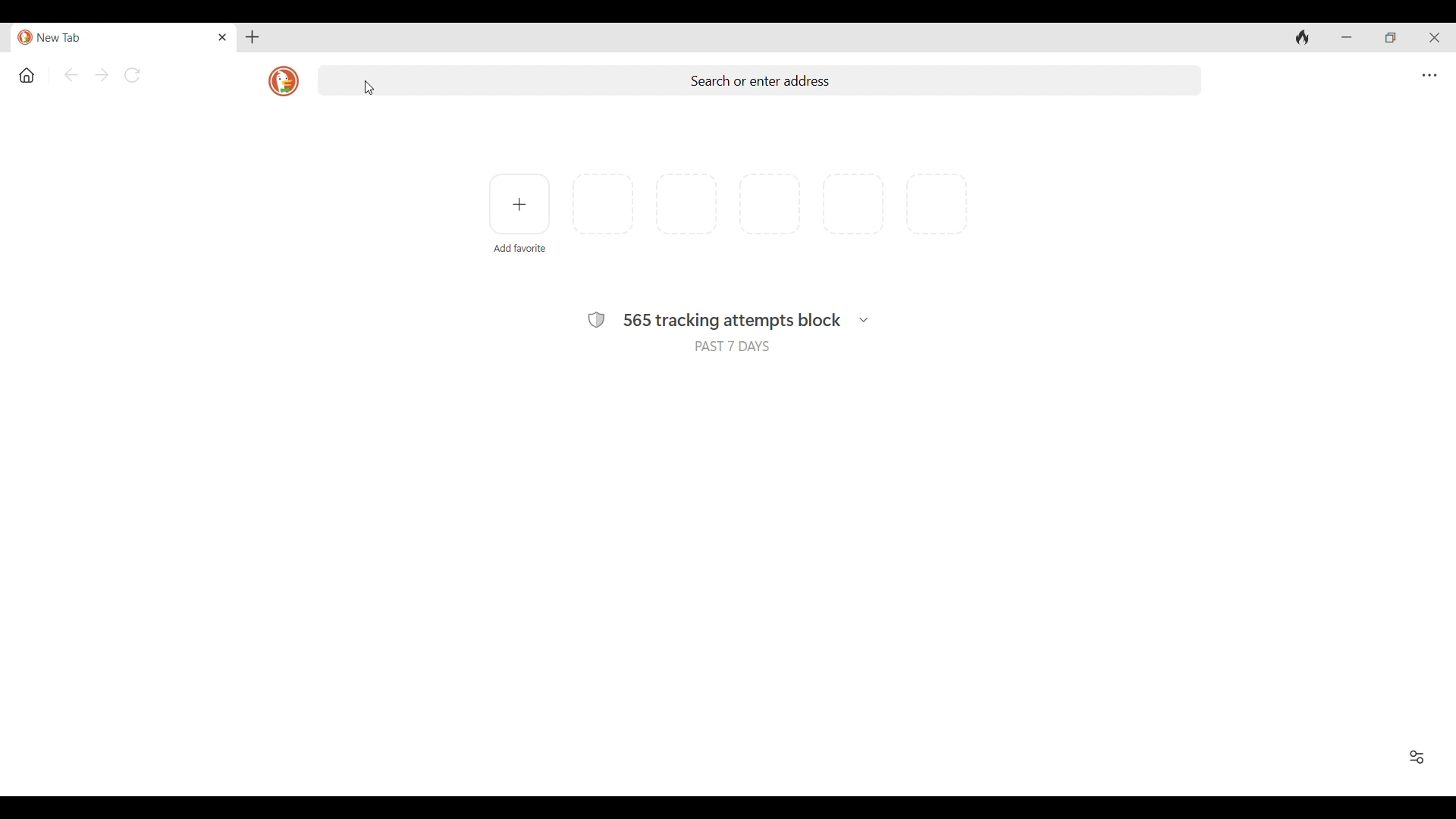  What do you see at coordinates (1302, 38) in the screenshot?
I see `Clear browsing history` at bounding box center [1302, 38].